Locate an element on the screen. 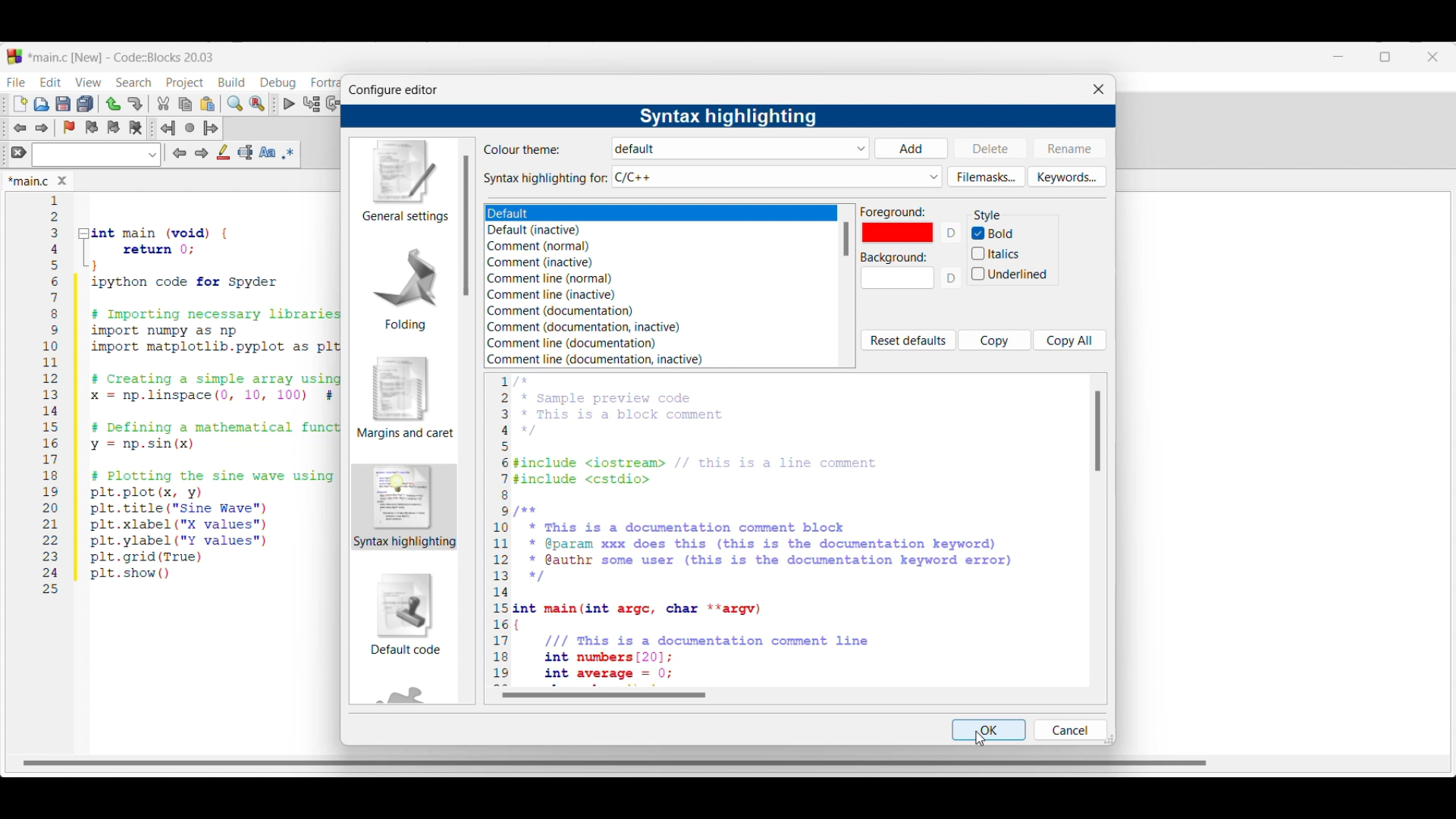 Image resolution: width=1456 pixels, height=819 pixels. Cancel is located at coordinates (1068, 730).